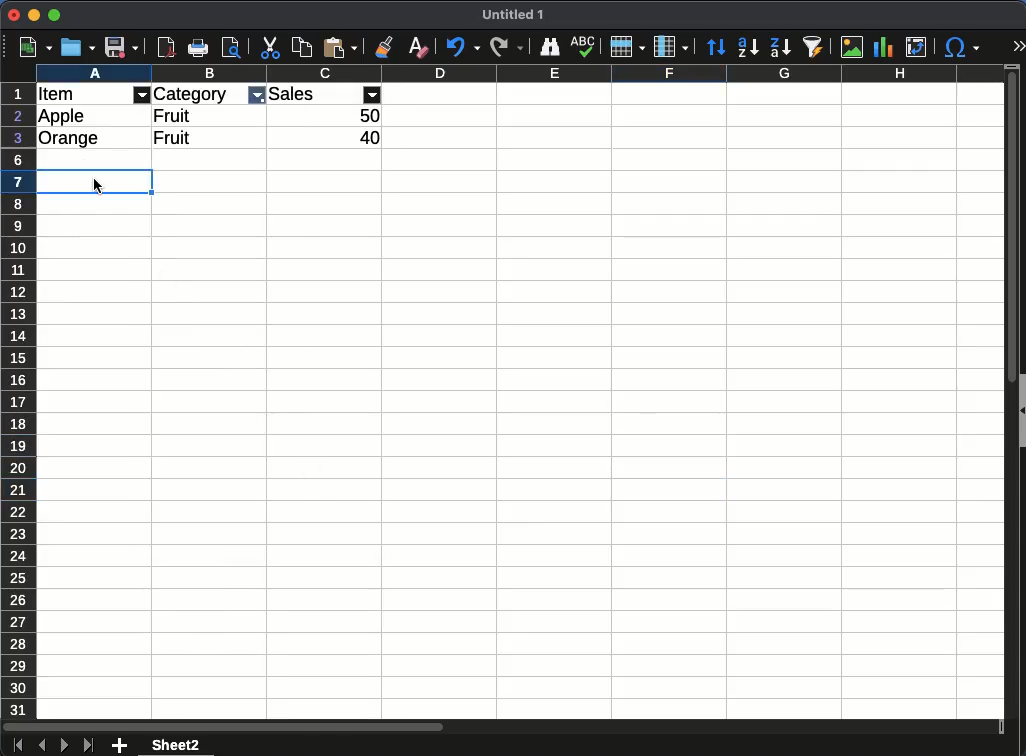 This screenshot has height=756, width=1026. What do you see at coordinates (670, 47) in the screenshot?
I see `column` at bounding box center [670, 47].